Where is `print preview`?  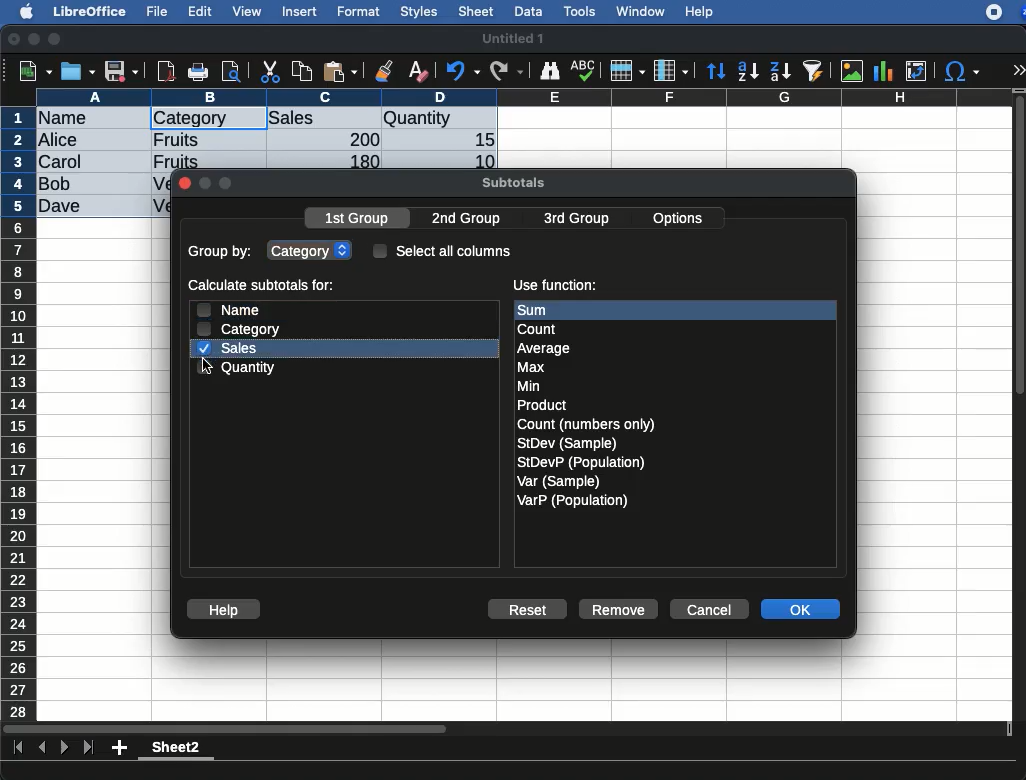
print preview is located at coordinates (231, 73).